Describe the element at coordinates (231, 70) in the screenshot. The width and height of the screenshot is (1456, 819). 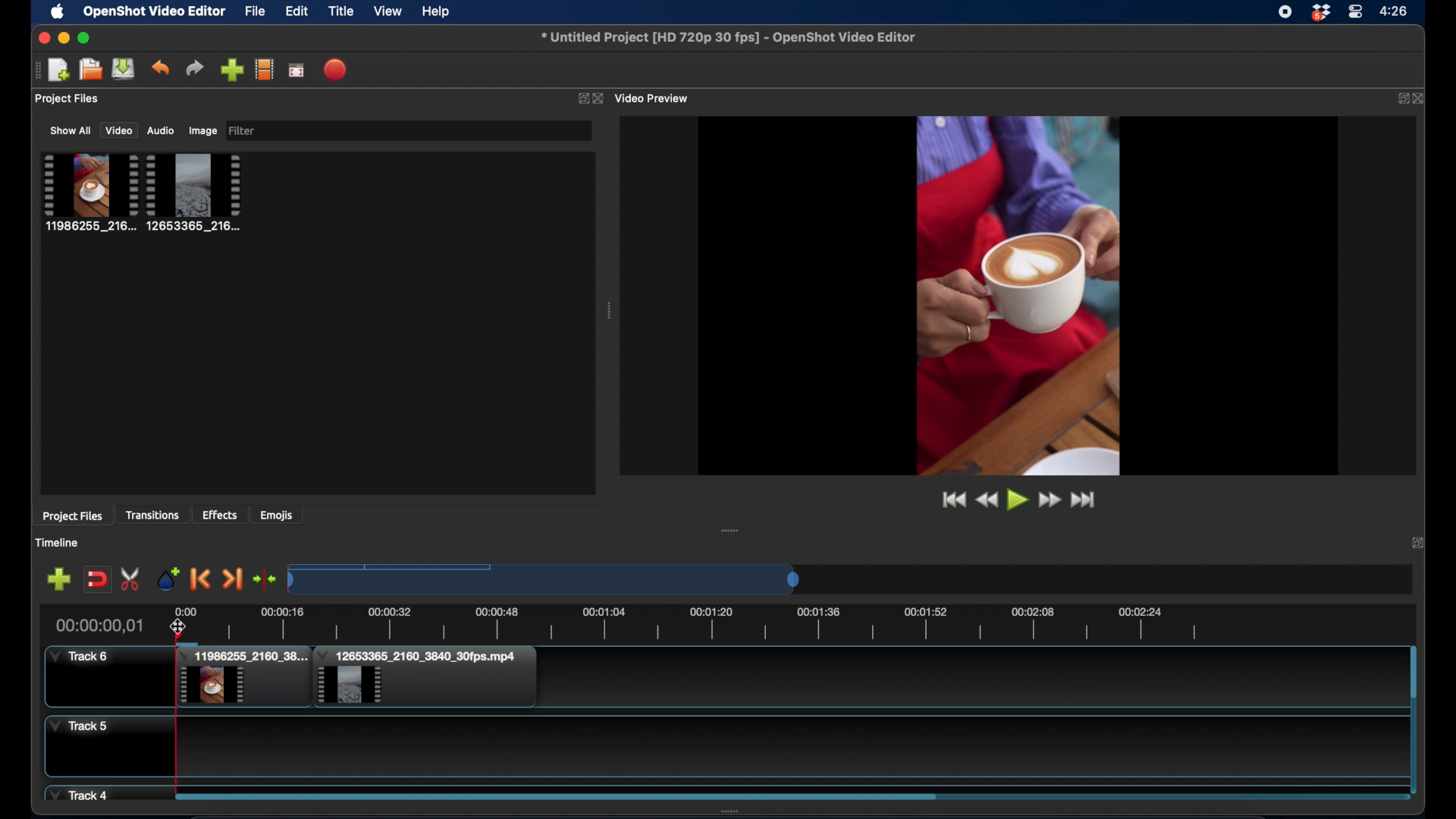
I see `import files` at that location.